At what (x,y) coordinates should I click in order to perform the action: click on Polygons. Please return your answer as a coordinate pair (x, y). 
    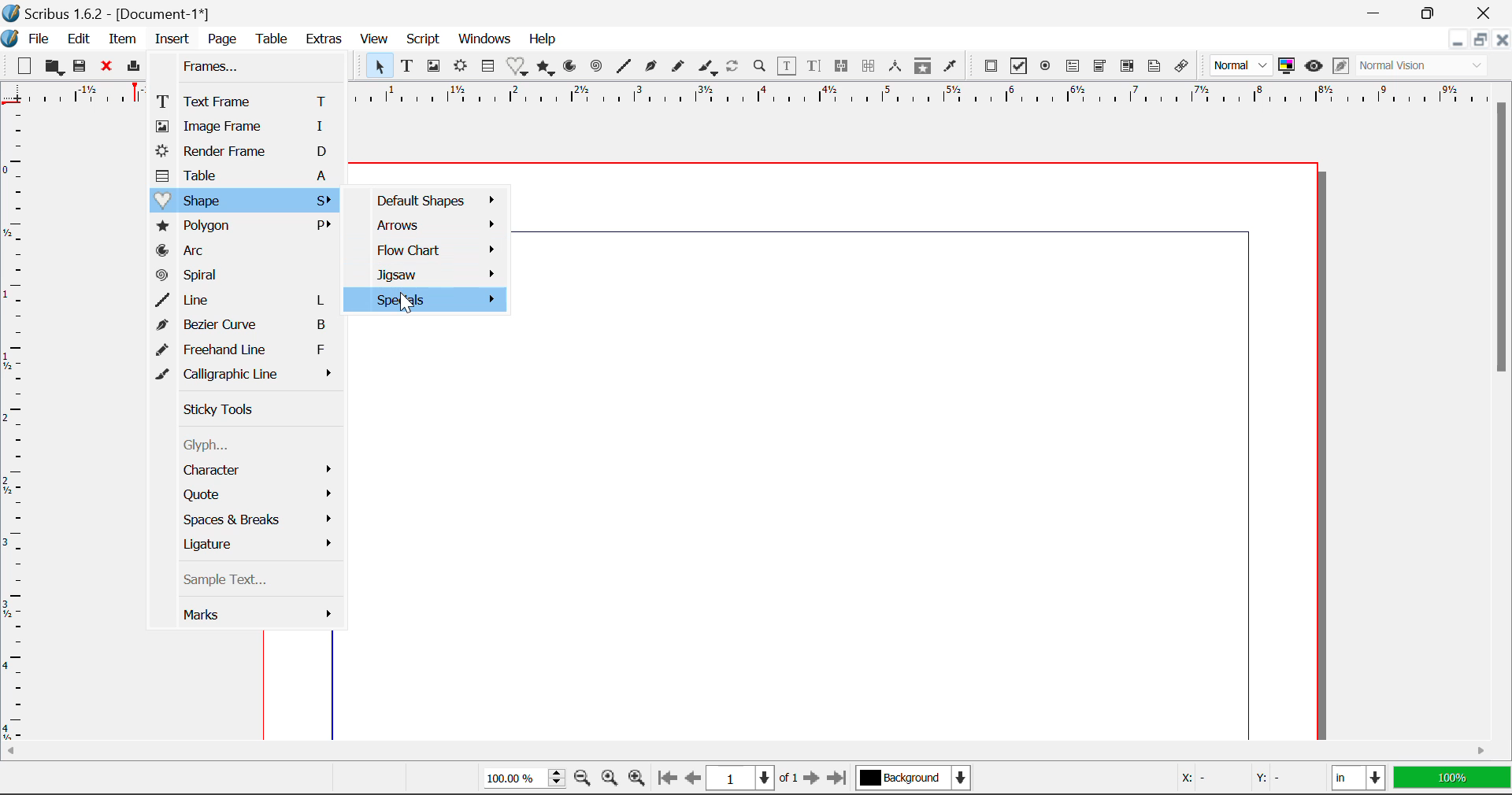
    Looking at the image, I should click on (547, 68).